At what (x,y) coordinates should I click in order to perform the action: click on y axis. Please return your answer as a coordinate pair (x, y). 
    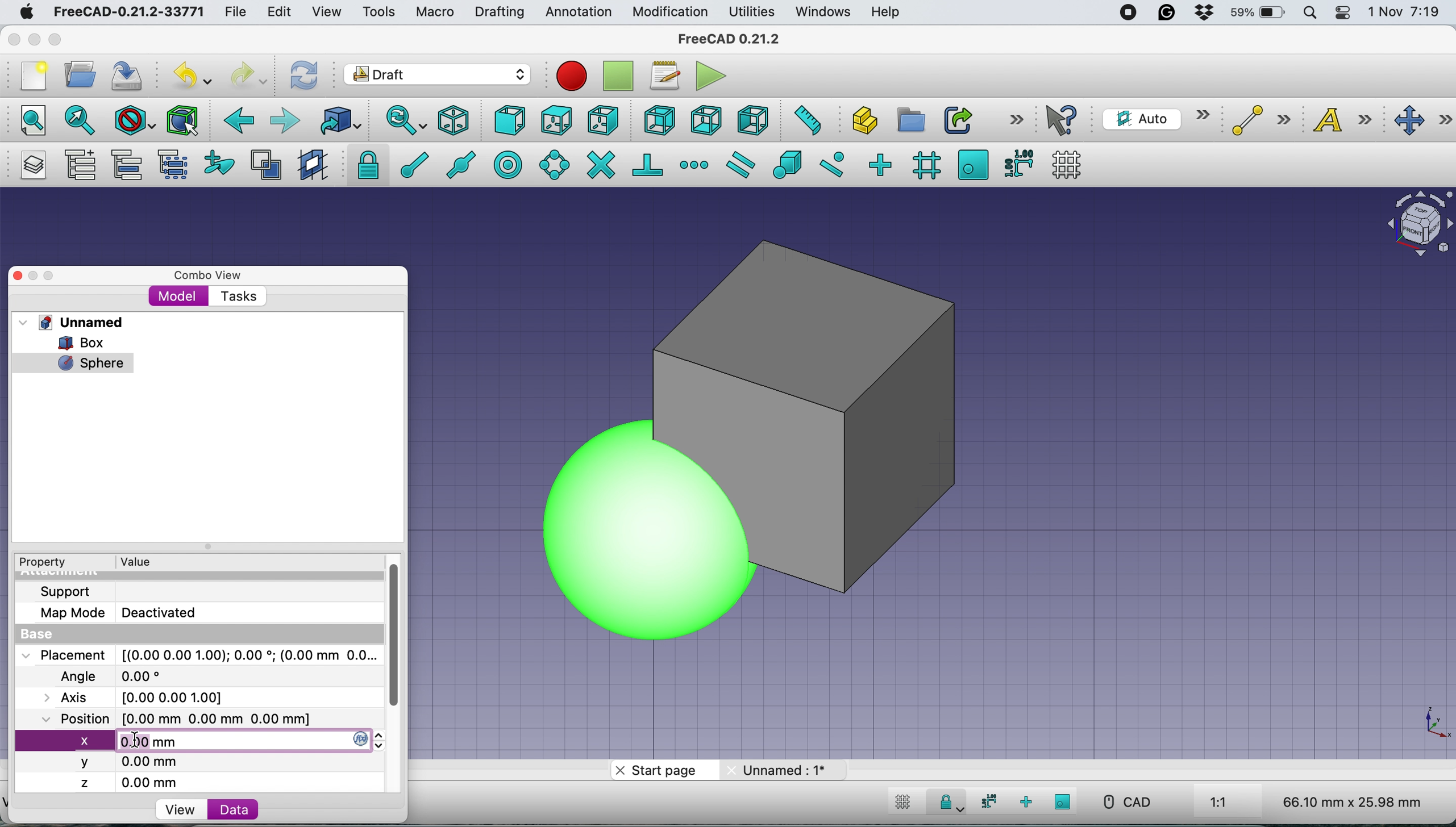
    Looking at the image, I should click on (131, 763).